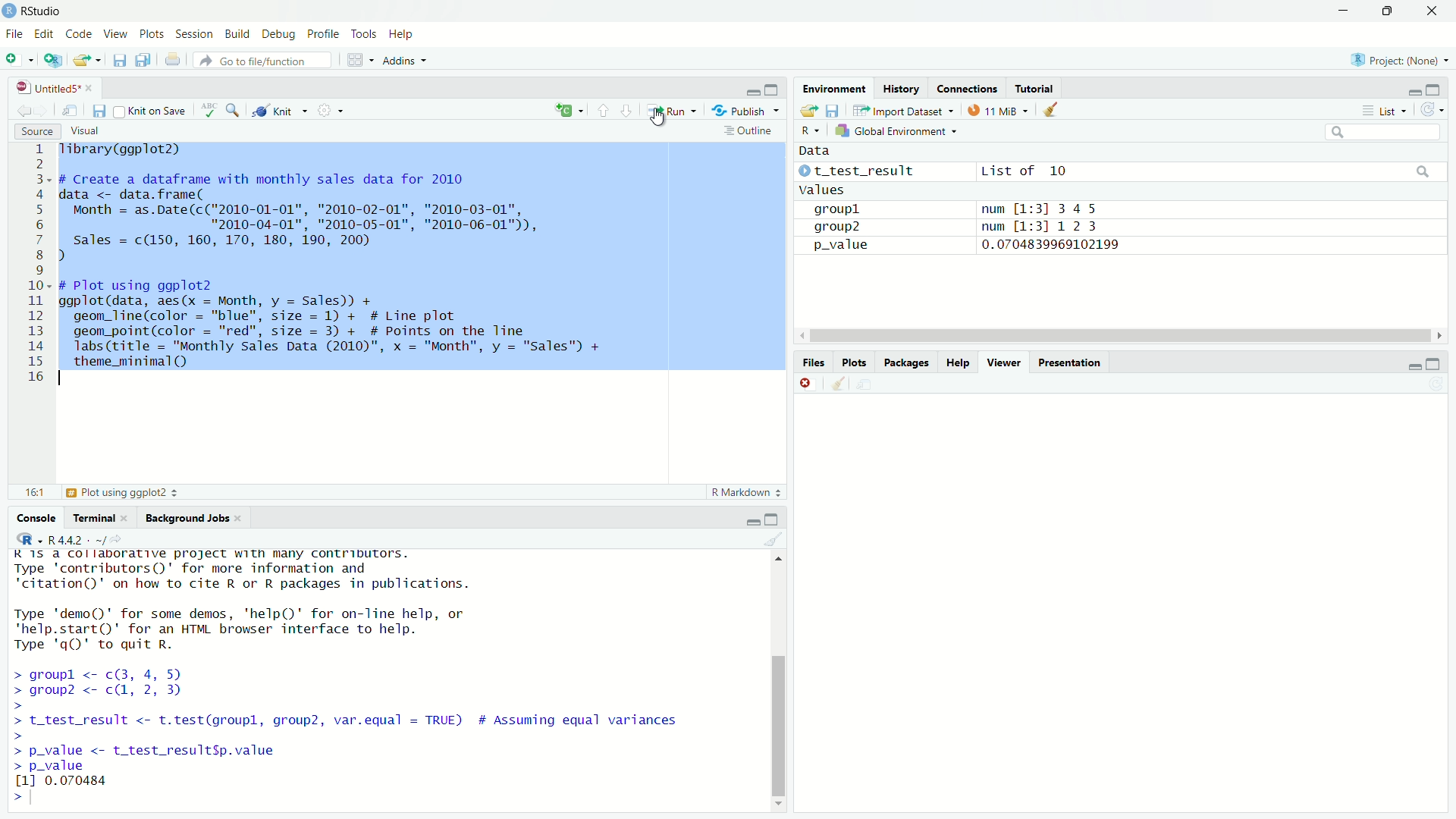 The width and height of the screenshot is (1456, 819). Describe the element at coordinates (42, 32) in the screenshot. I see `Edit` at that location.